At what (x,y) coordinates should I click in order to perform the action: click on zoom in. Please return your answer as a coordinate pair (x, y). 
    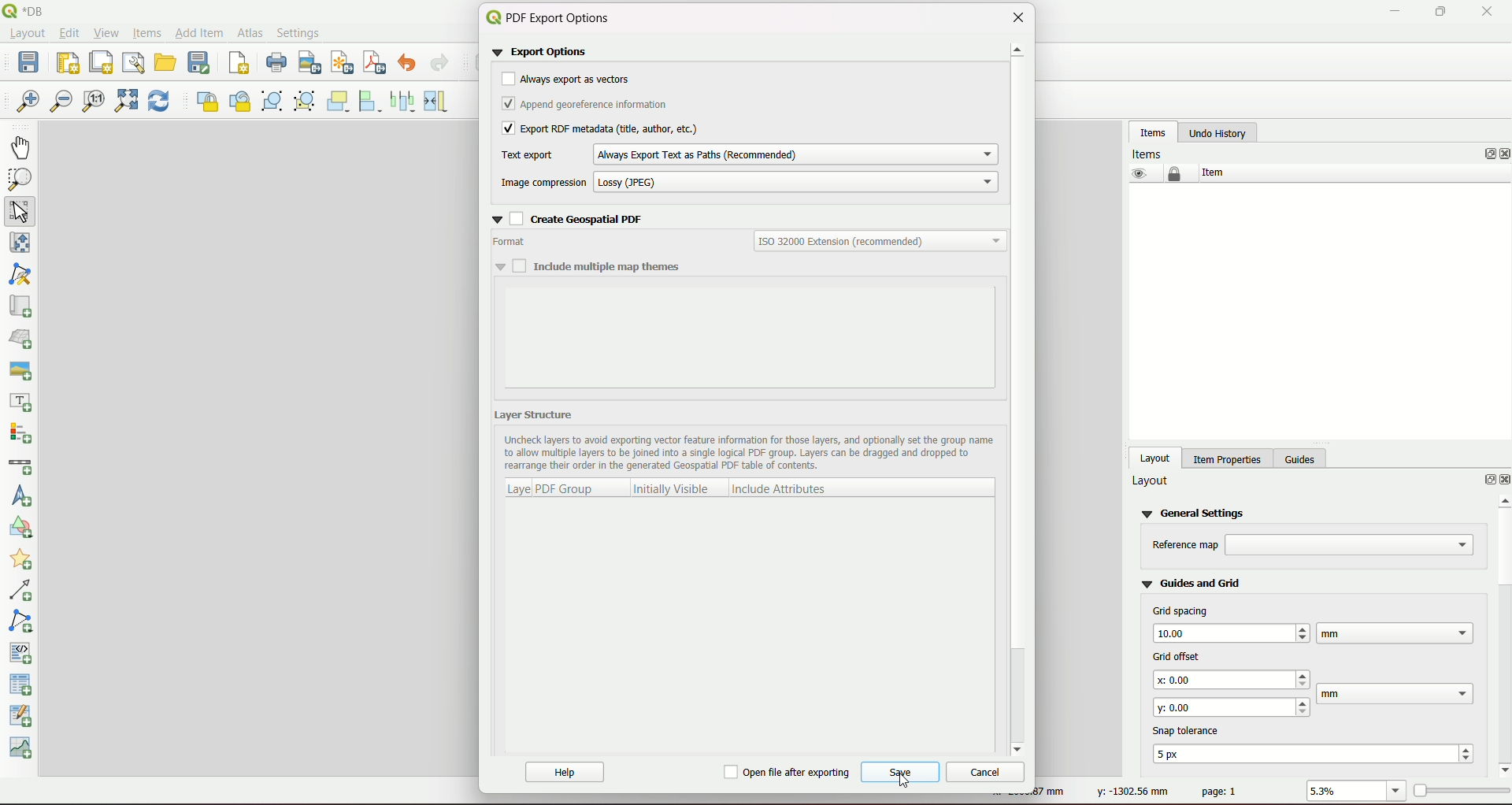
    Looking at the image, I should click on (28, 102).